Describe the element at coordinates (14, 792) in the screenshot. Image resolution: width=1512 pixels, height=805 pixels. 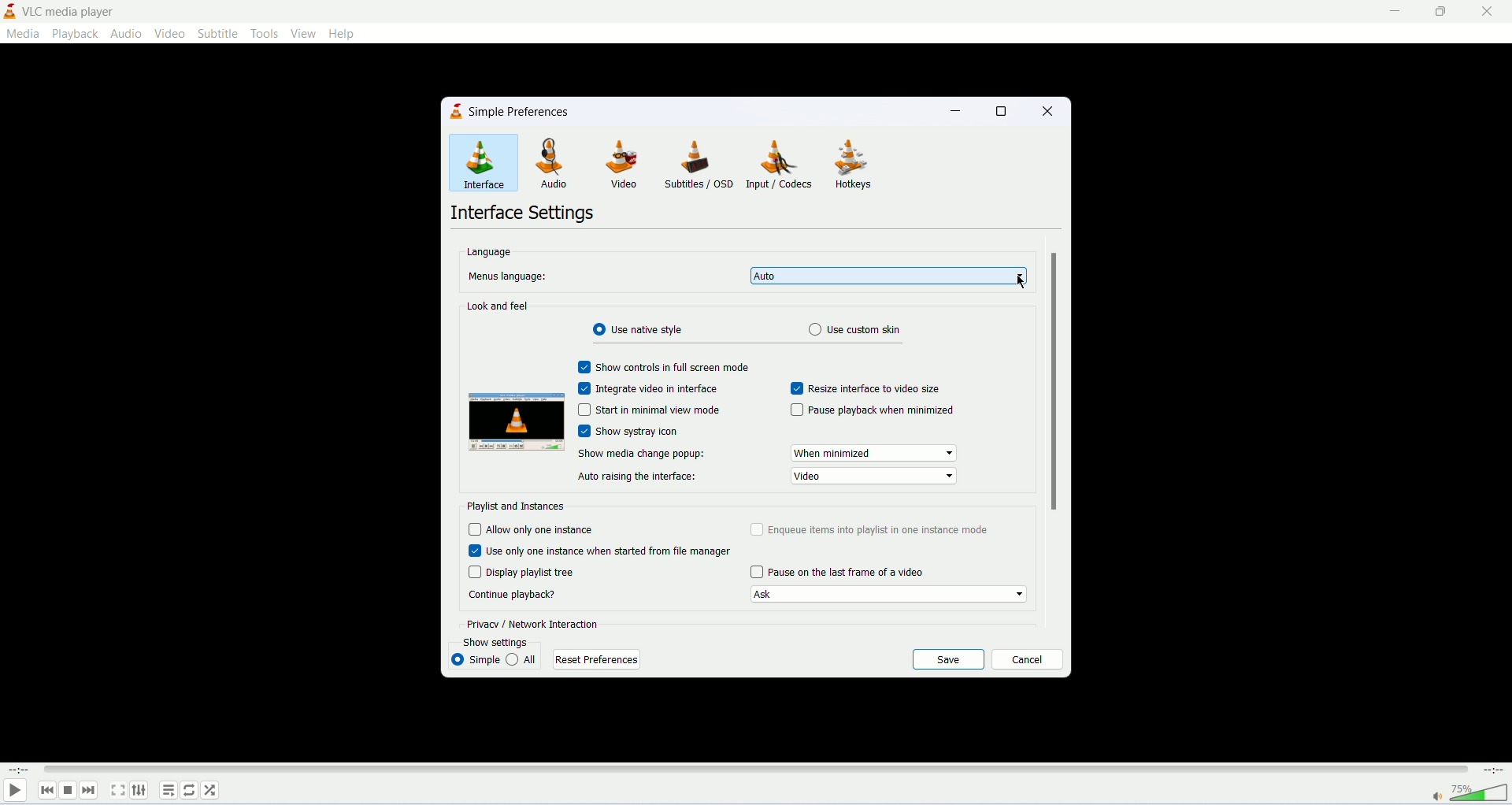
I see `play` at that location.